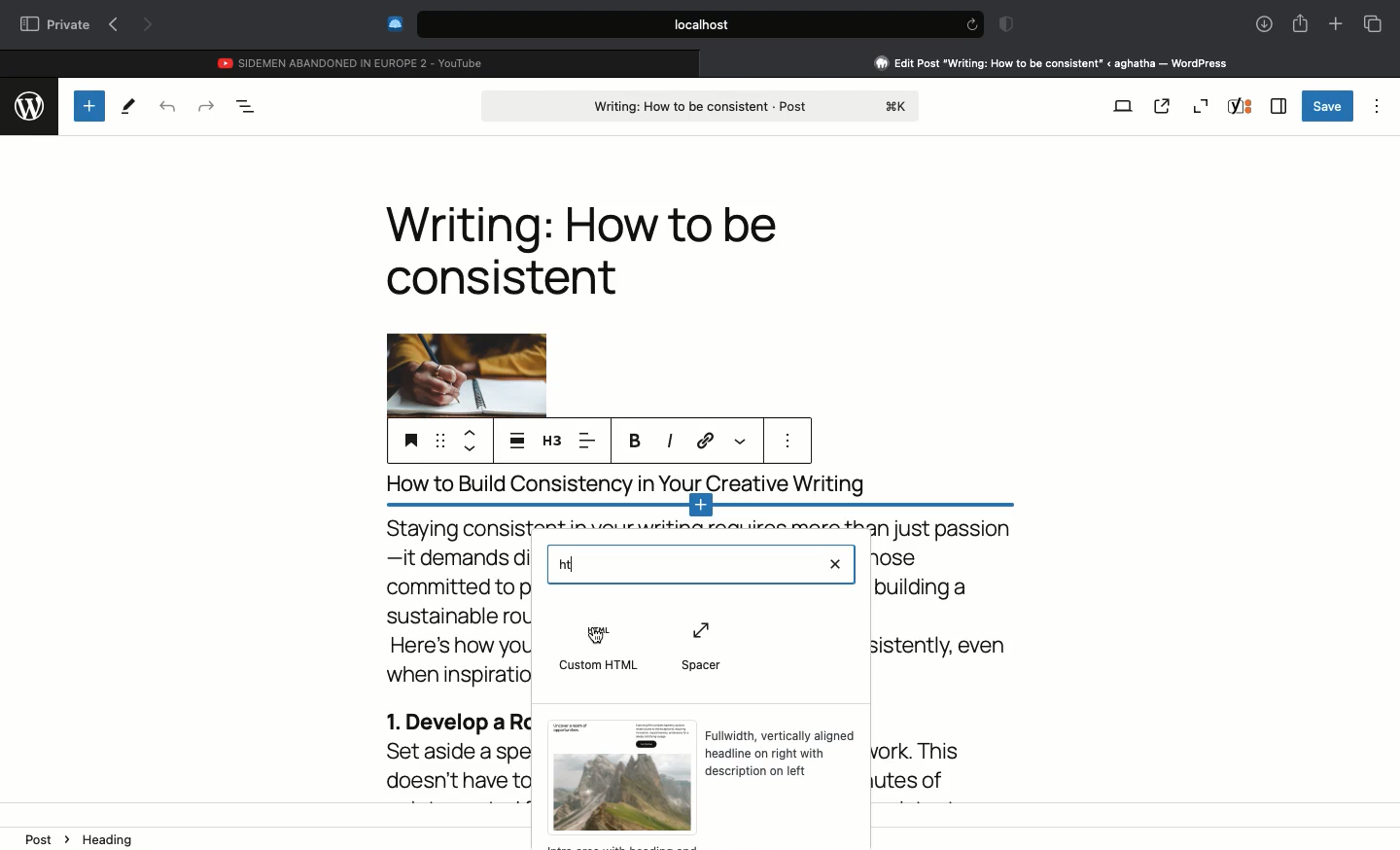 The width and height of the screenshot is (1400, 850). I want to click on cursor, so click(576, 570).